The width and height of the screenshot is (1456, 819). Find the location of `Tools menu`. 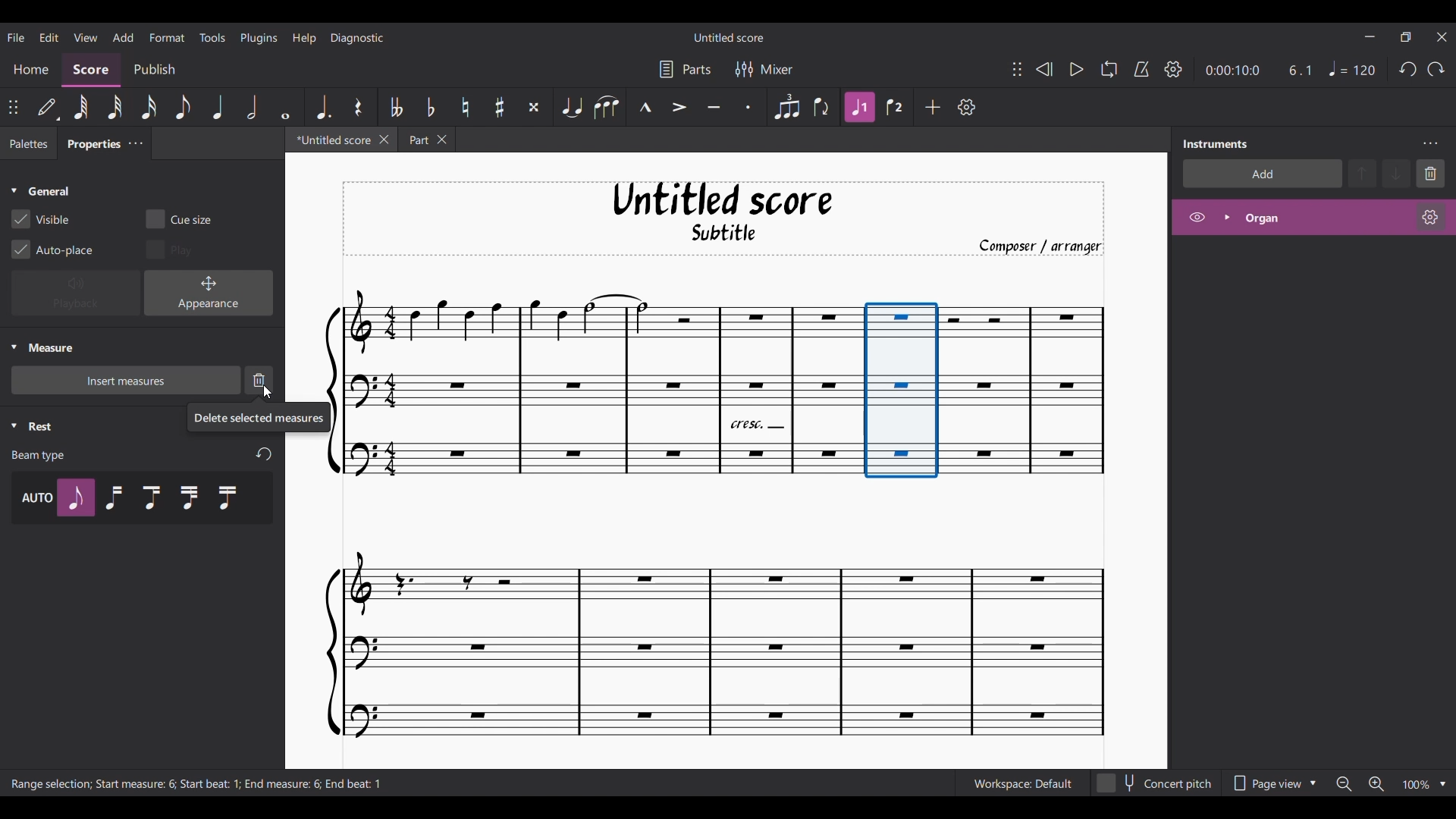

Tools menu is located at coordinates (212, 36).